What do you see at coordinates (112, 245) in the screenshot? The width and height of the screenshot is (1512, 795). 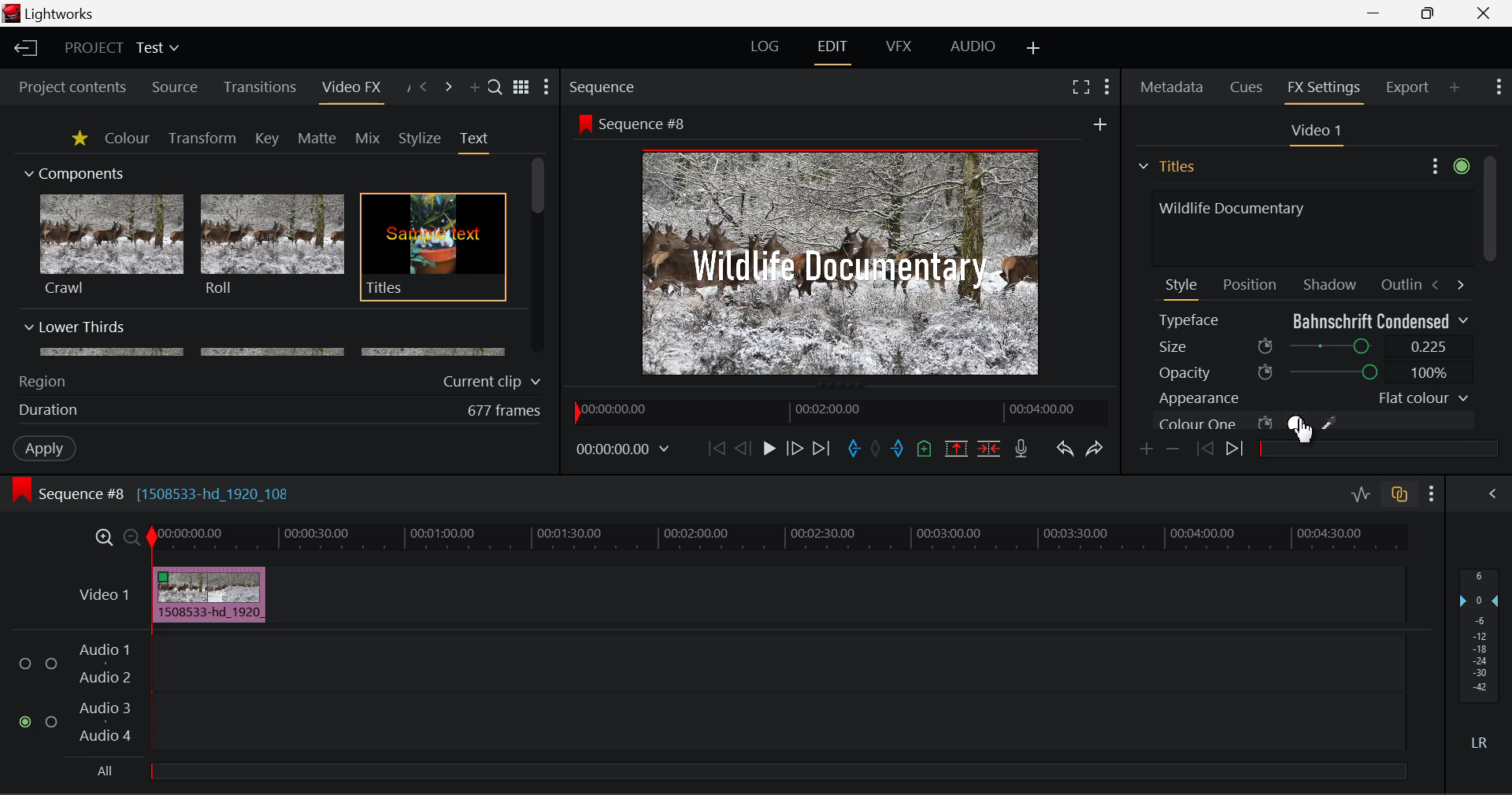 I see `Crawl` at bounding box center [112, 245].